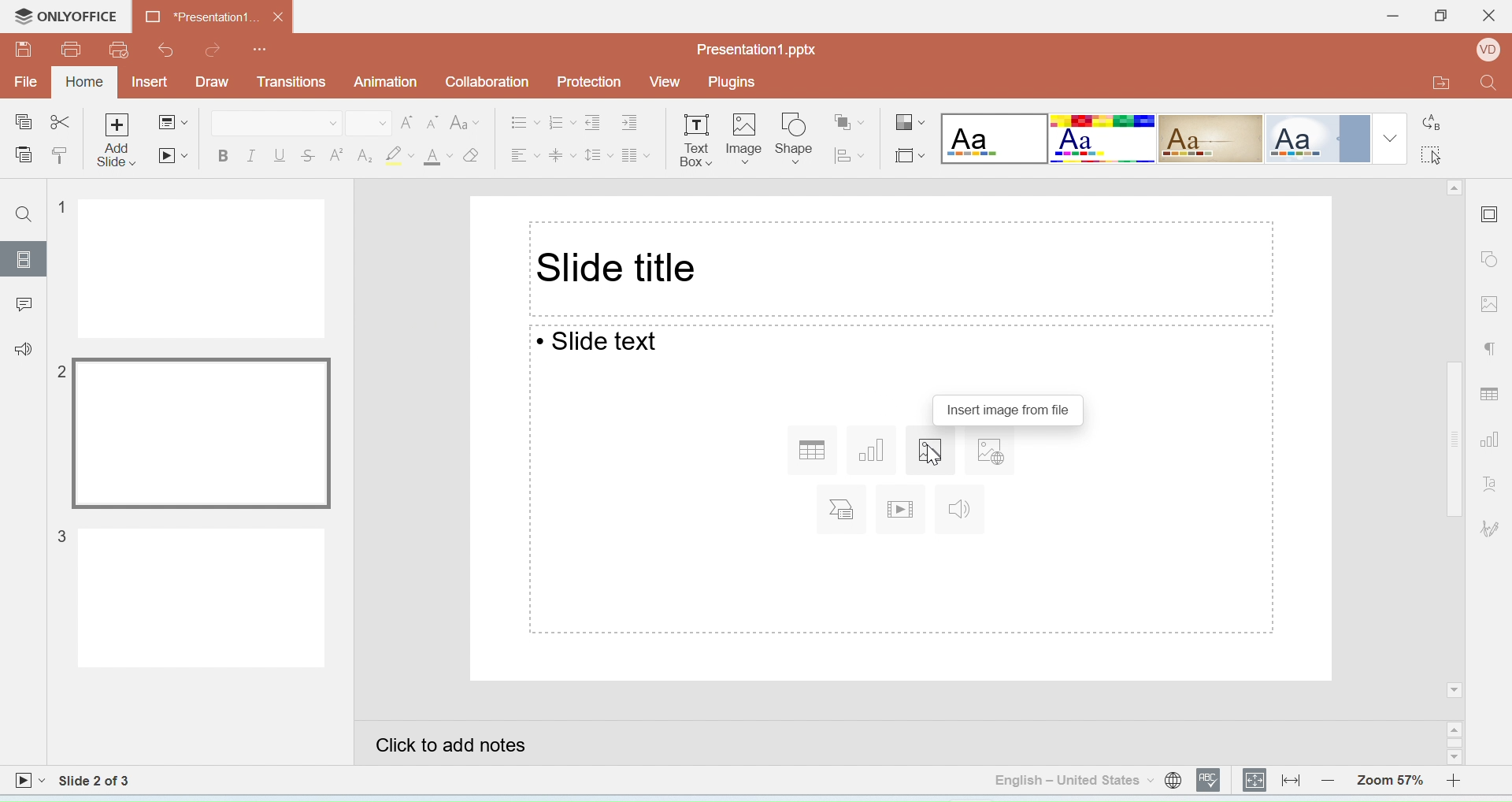  Describe the element at coordinates (365, 156) in the screenshot. I see `Subscript` at that location.